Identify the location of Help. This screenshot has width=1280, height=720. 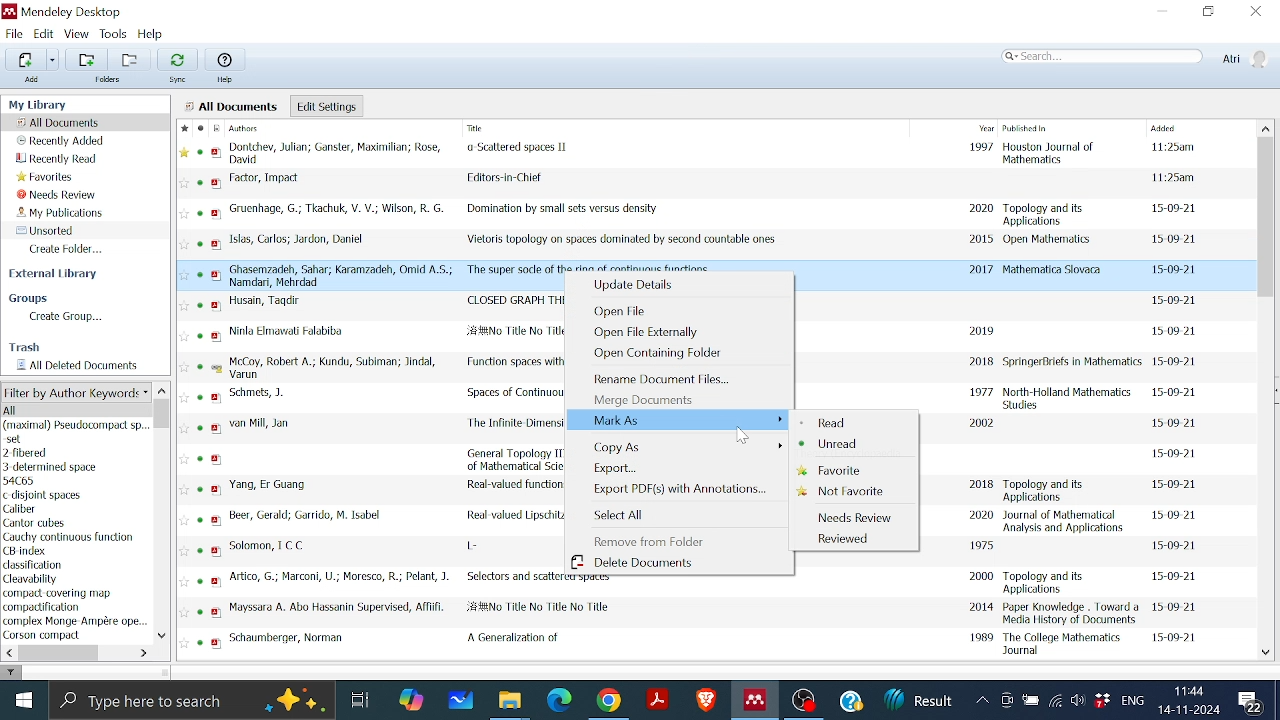
(850, 701).